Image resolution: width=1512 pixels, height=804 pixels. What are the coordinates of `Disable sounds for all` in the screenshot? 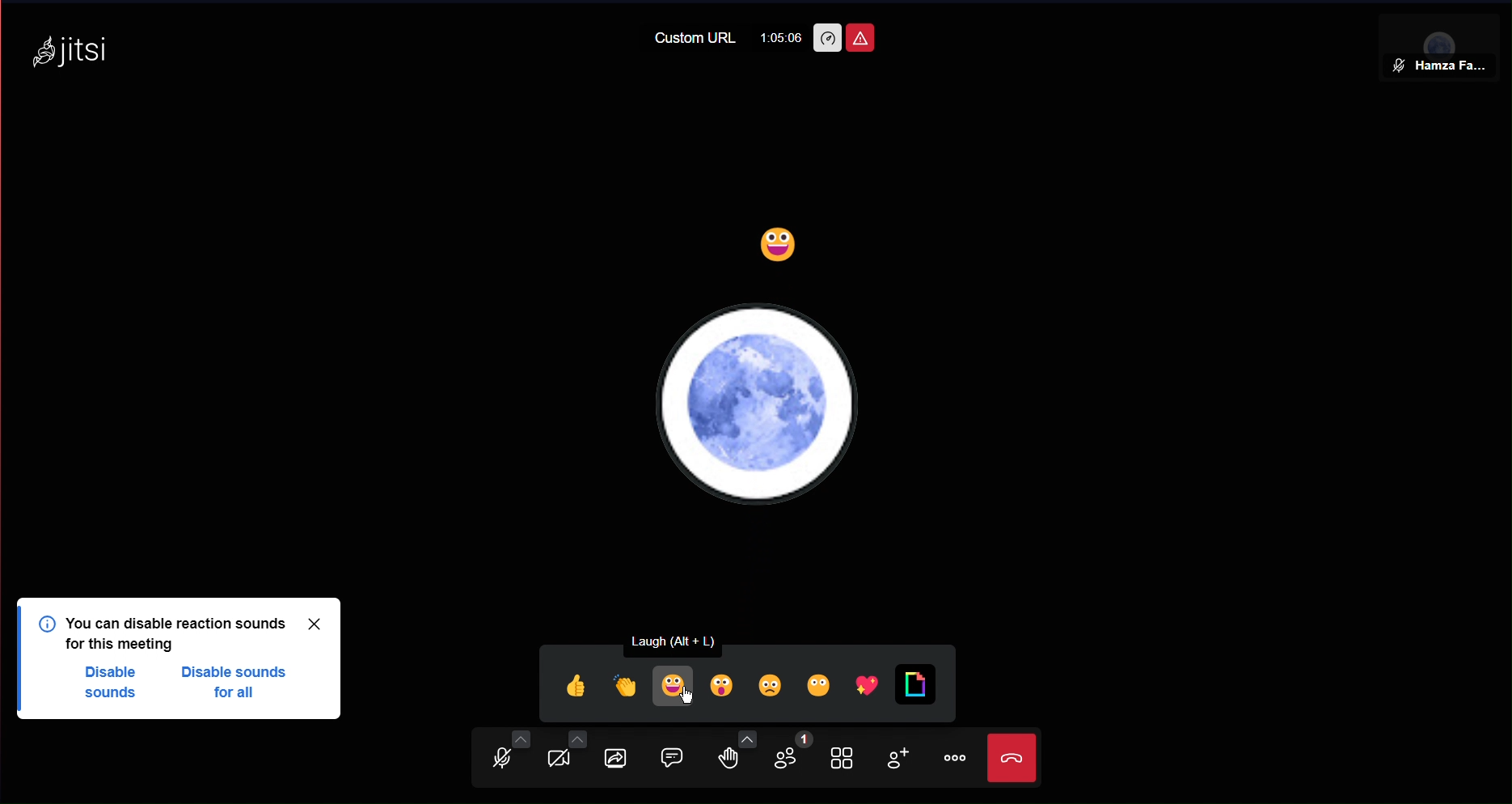 It's located at (239, 684).